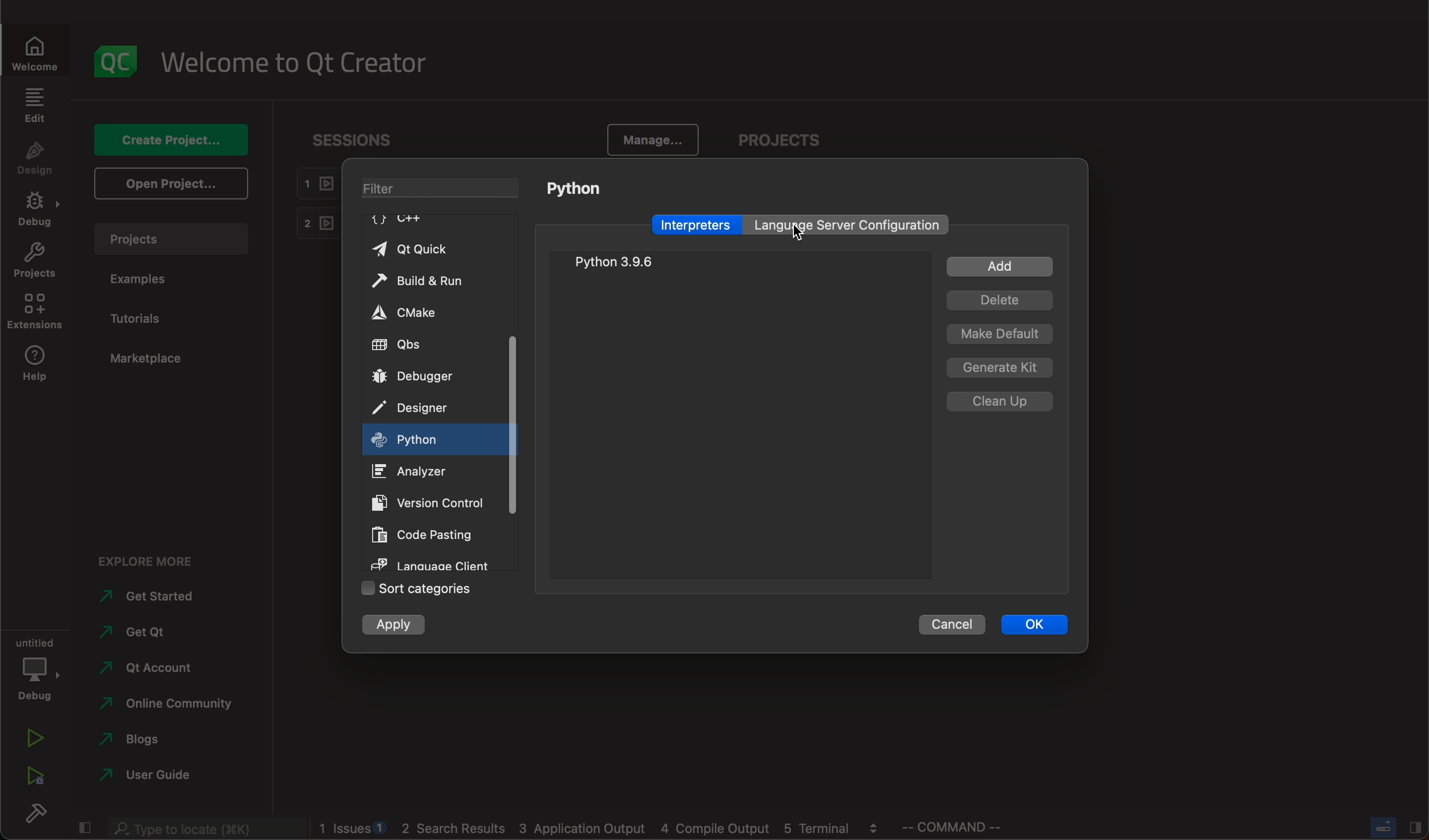 The width and height of the screenshot is (1429, 840). Describe the element at coordinates (33, 51) in the screenshot. I see `welcome` at that location.